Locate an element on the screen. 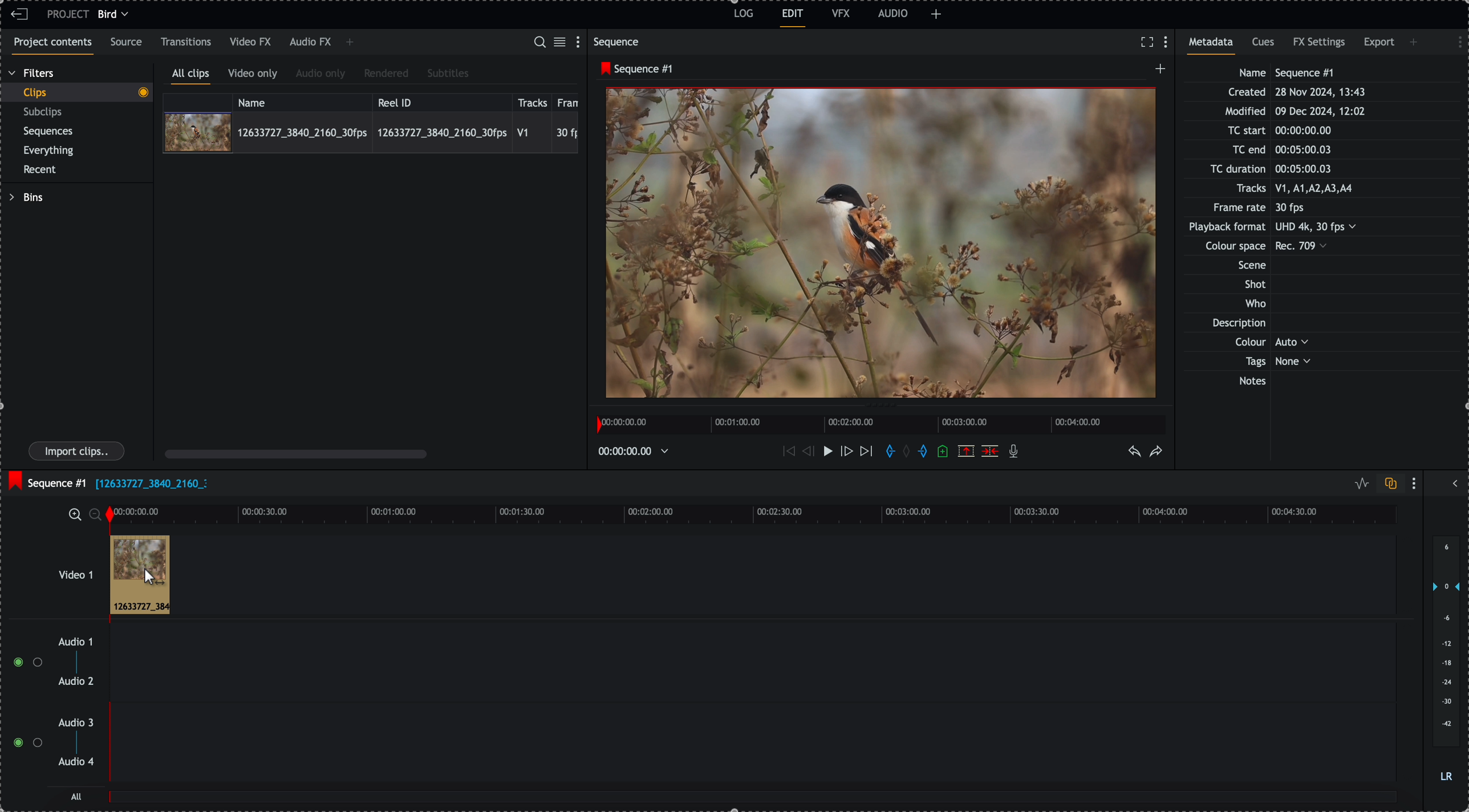 Image resolution: width=1469 pixels, height=812 pixels. add in marks is located at coordinates (888, 452).